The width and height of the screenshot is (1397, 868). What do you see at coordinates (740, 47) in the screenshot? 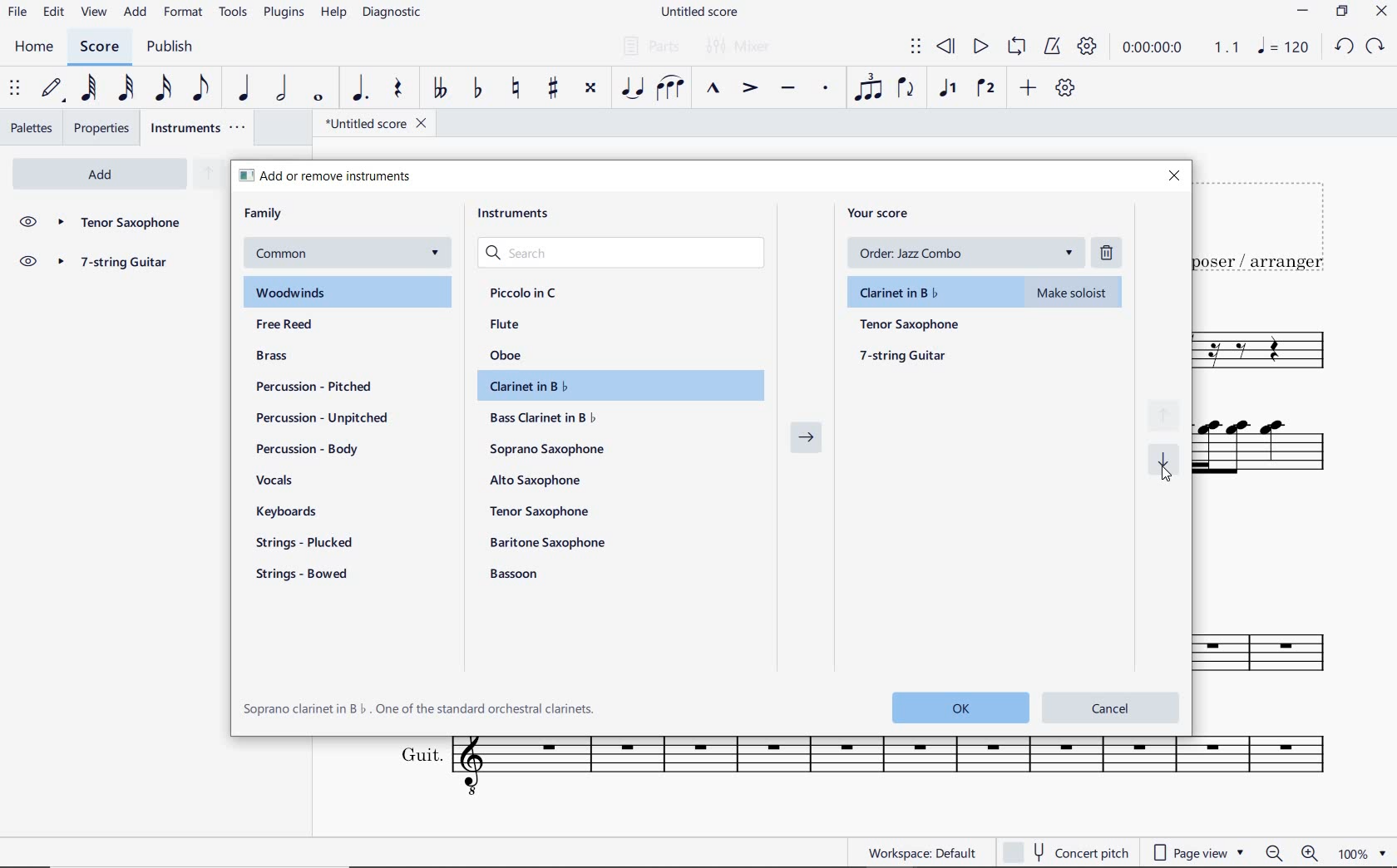
I see `MIXER` at bounding box center [740, 47].